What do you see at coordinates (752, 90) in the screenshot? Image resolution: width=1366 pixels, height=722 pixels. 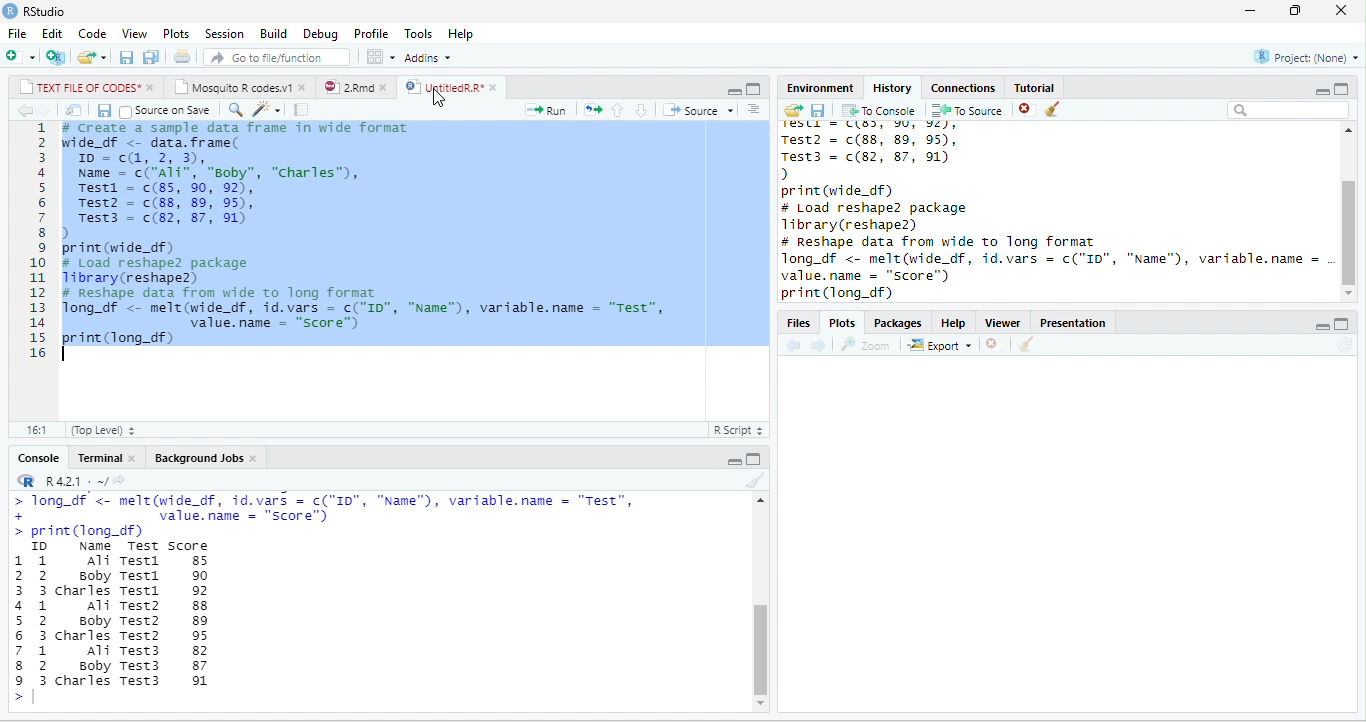 I see `maximize` at bounding box center [752, 90].